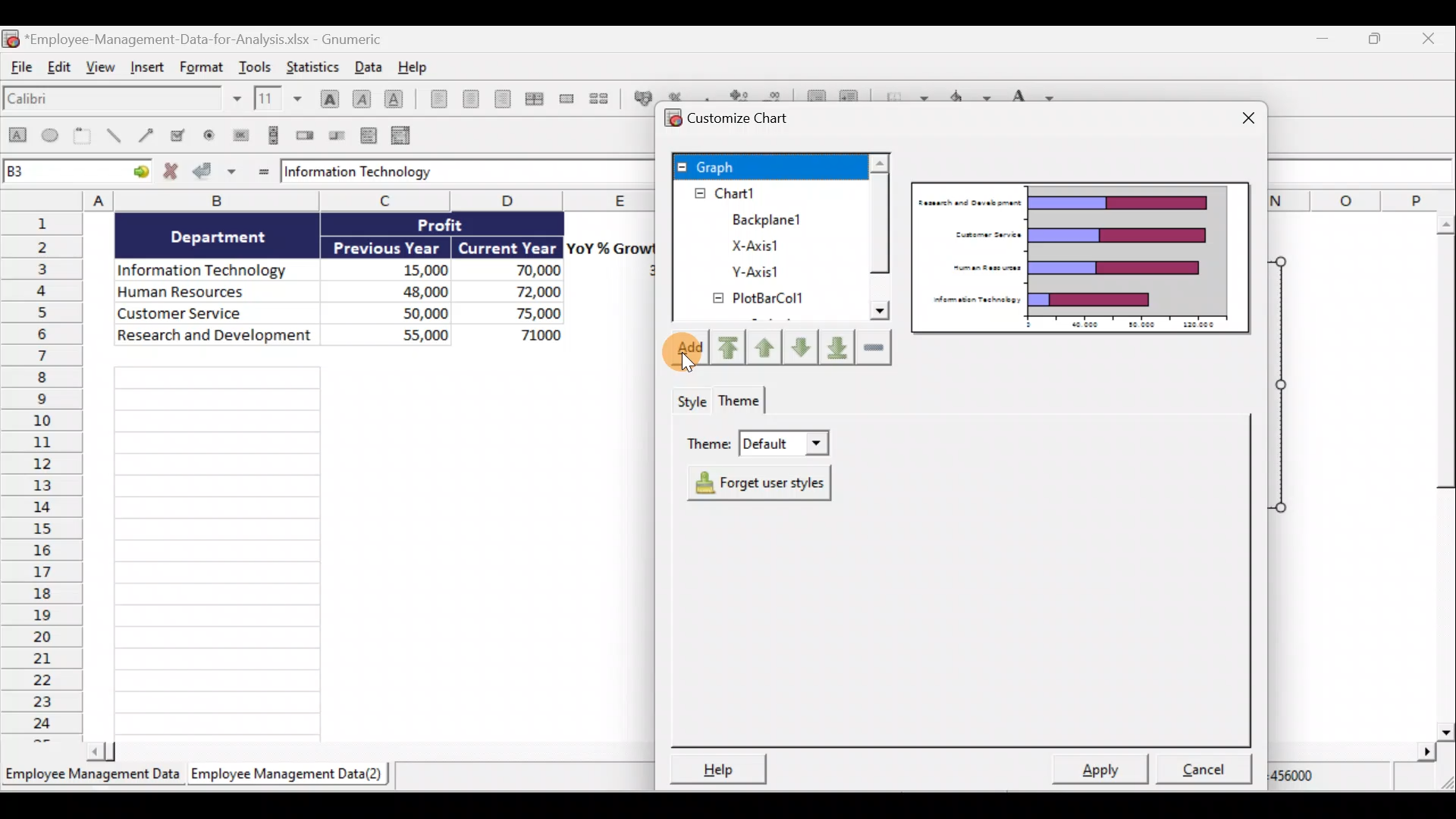 The width and height of the screenshot is (1456, 819). What do you see at coordinates (453, 227) in the screenshot?
I see `Profit` at bounding box center [453, 227].